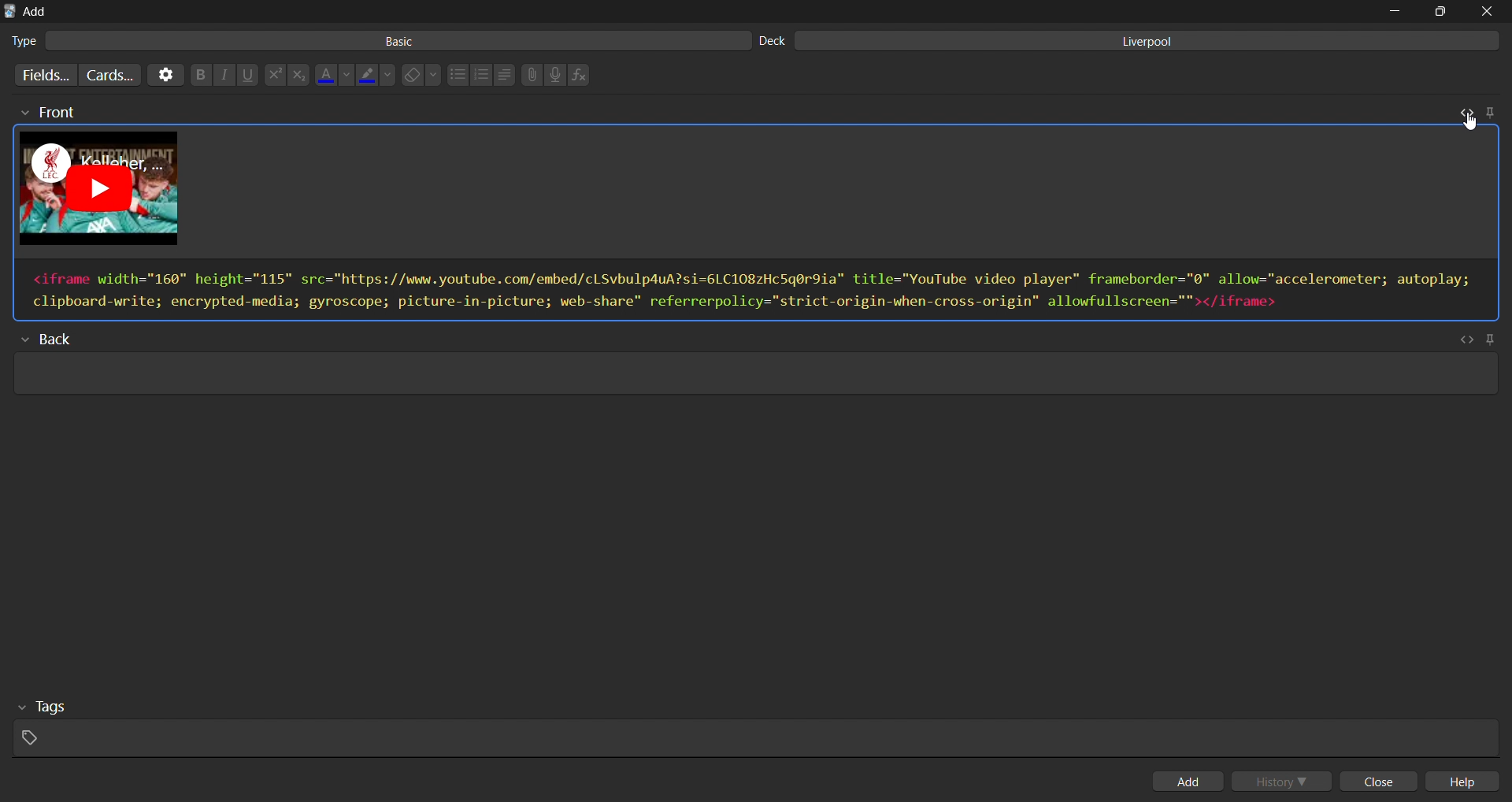 This screenshot has height=802, width=1512. Describe the element at coordinates (424, 75) in the screenshot. I see `erase formatting` at that location.